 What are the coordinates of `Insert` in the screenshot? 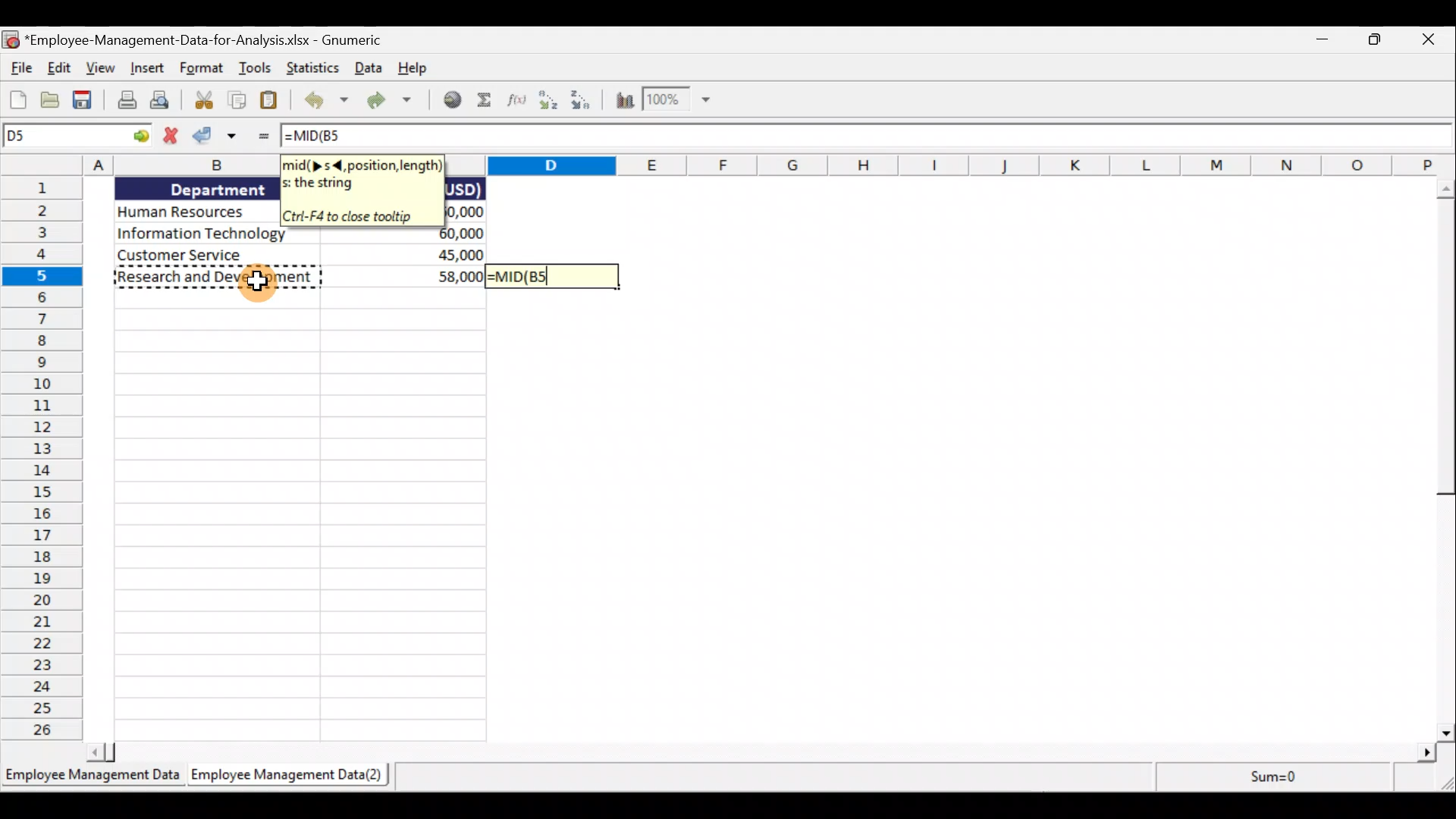 It's located at (149, 68).